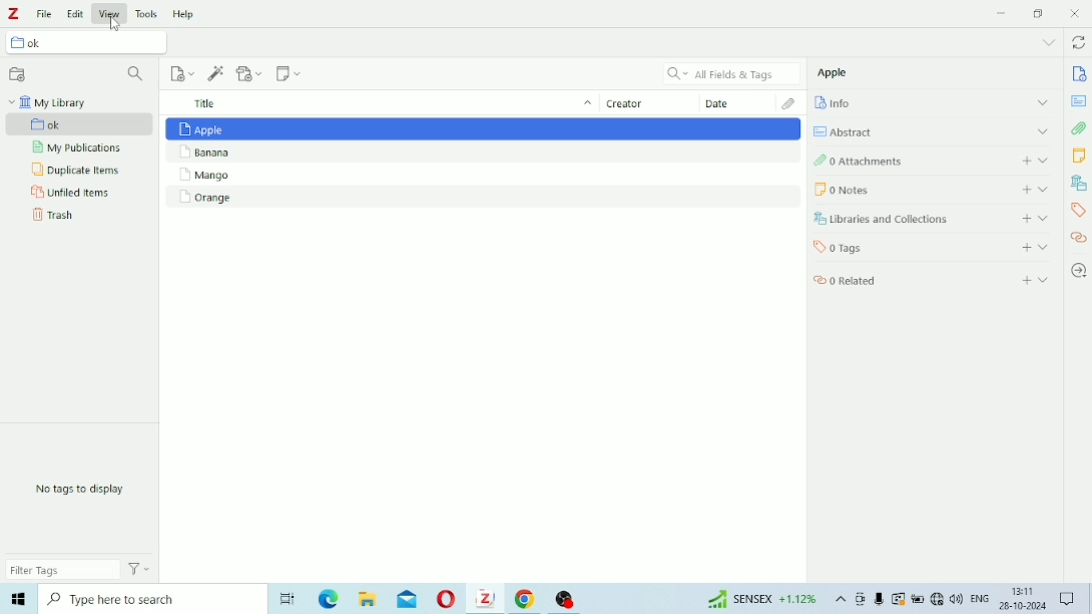 This screenshot has height=614, width=1092. I want to click on Sync with zotero.org, so click(1081, 41).